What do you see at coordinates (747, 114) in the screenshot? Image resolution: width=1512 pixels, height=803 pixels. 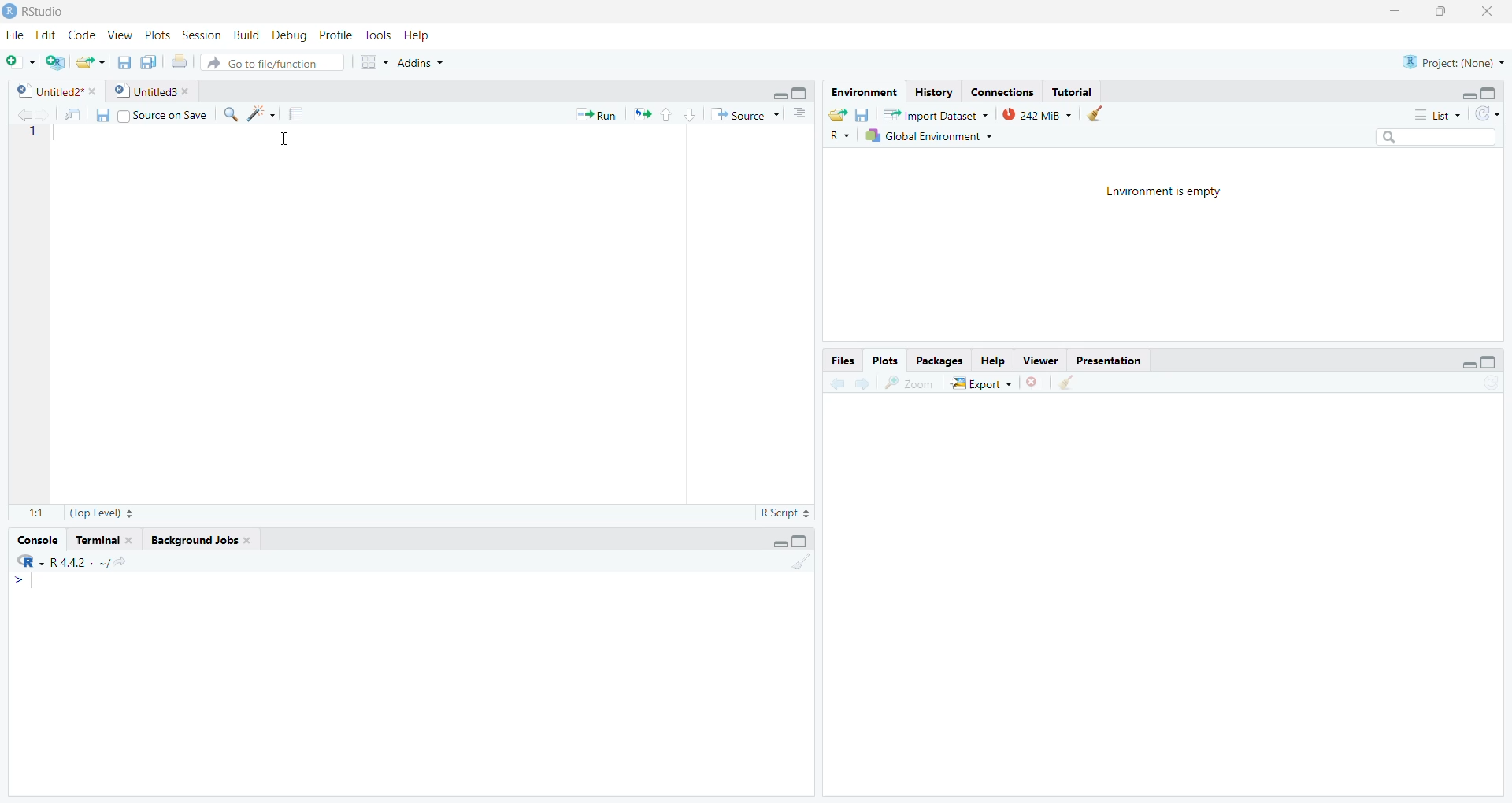 I see `Source ` at bounding box center [747, 114].